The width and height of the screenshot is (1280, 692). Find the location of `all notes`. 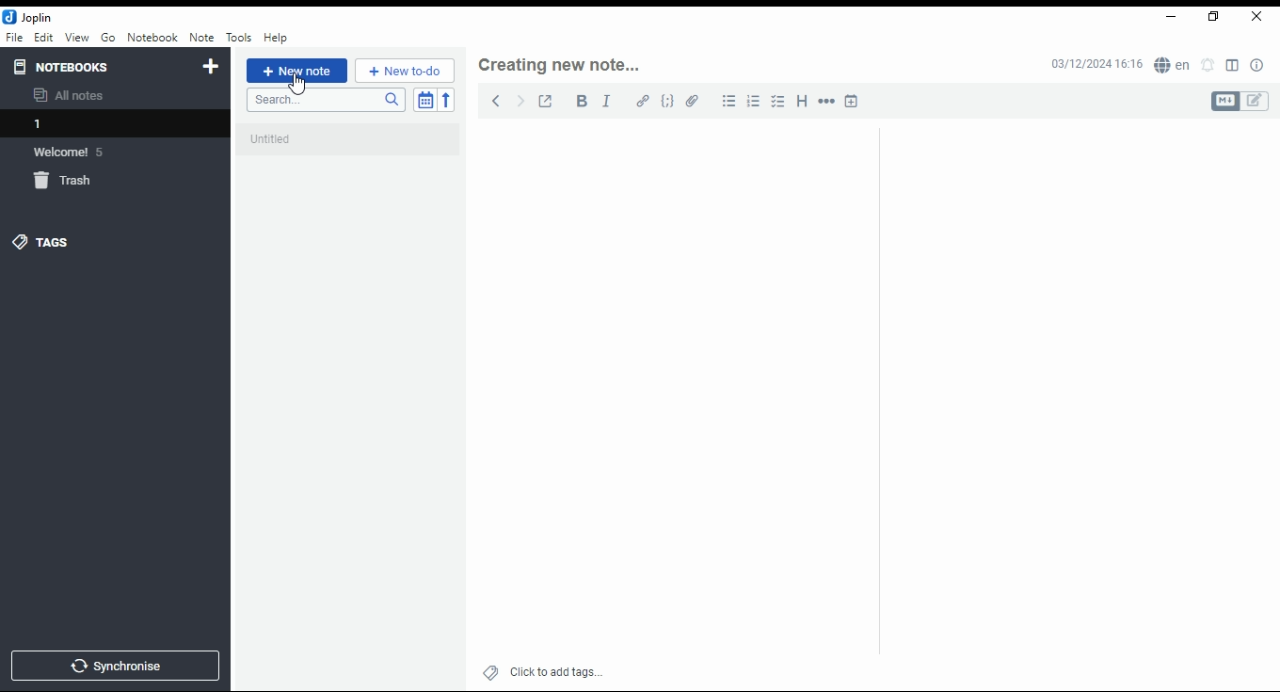

all notes is located at coordinates (74, 96).